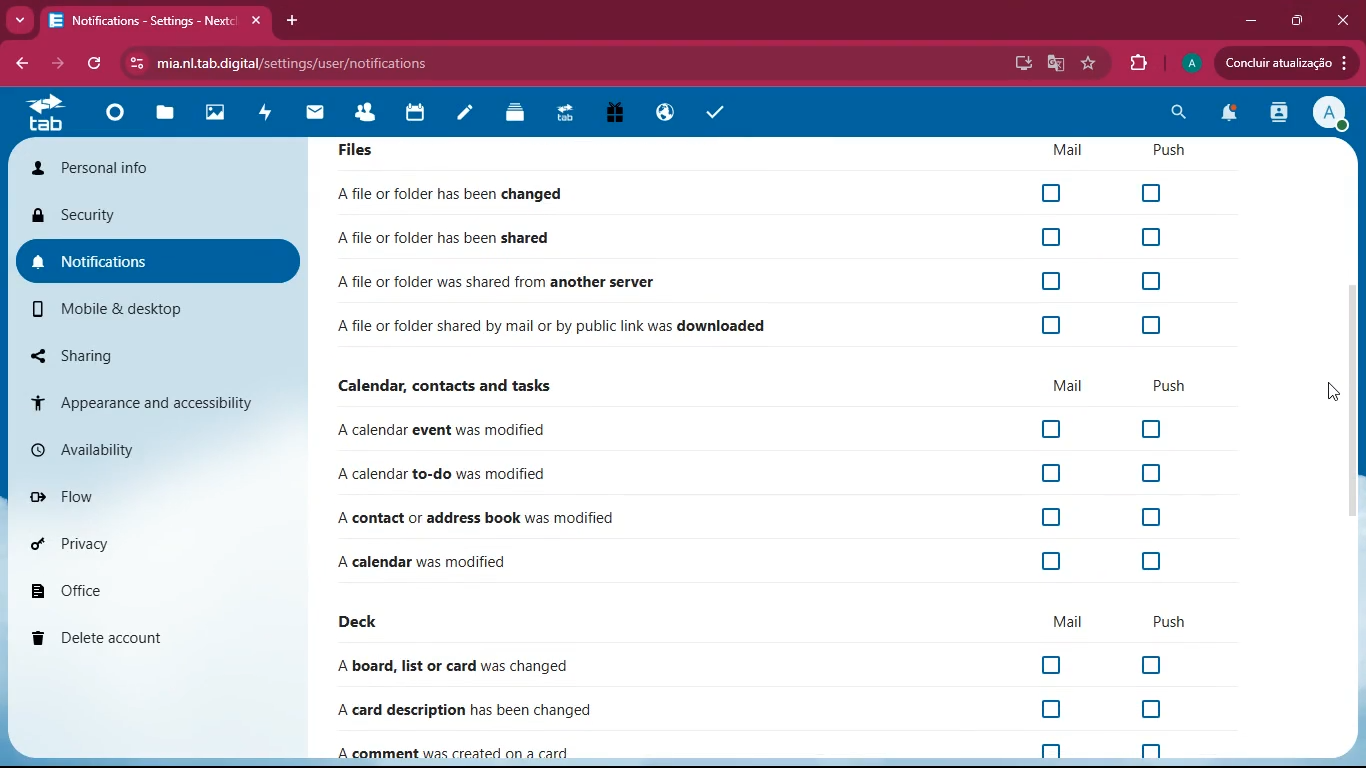 The image size is (1366, 768). Describe the element at coordinates (1152, 472) in the screenshot. I see `off` at that location.